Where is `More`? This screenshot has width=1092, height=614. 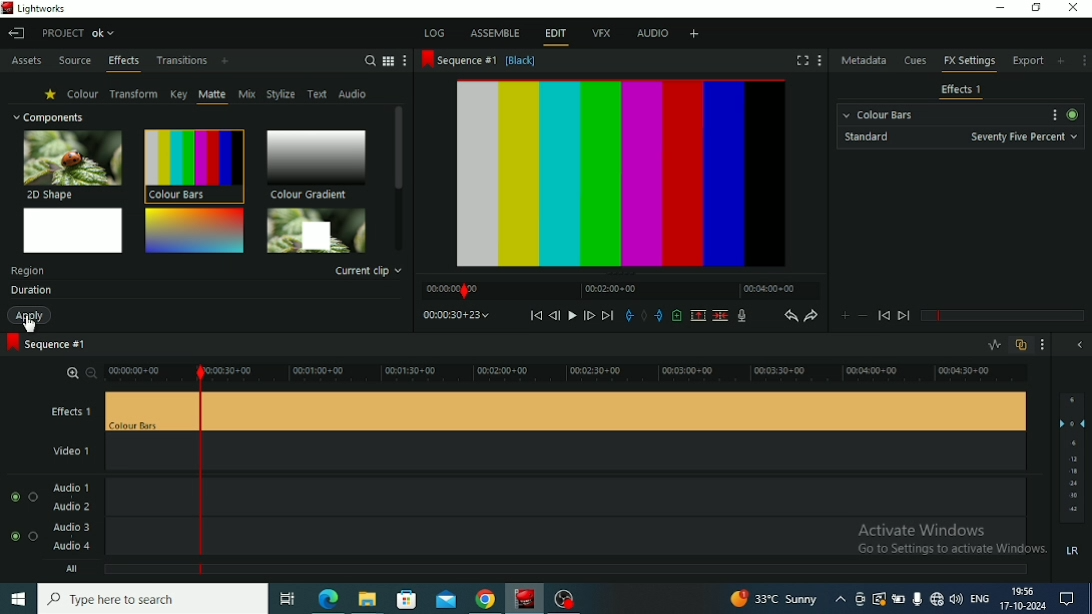
More is located at coordinates (406, 61).